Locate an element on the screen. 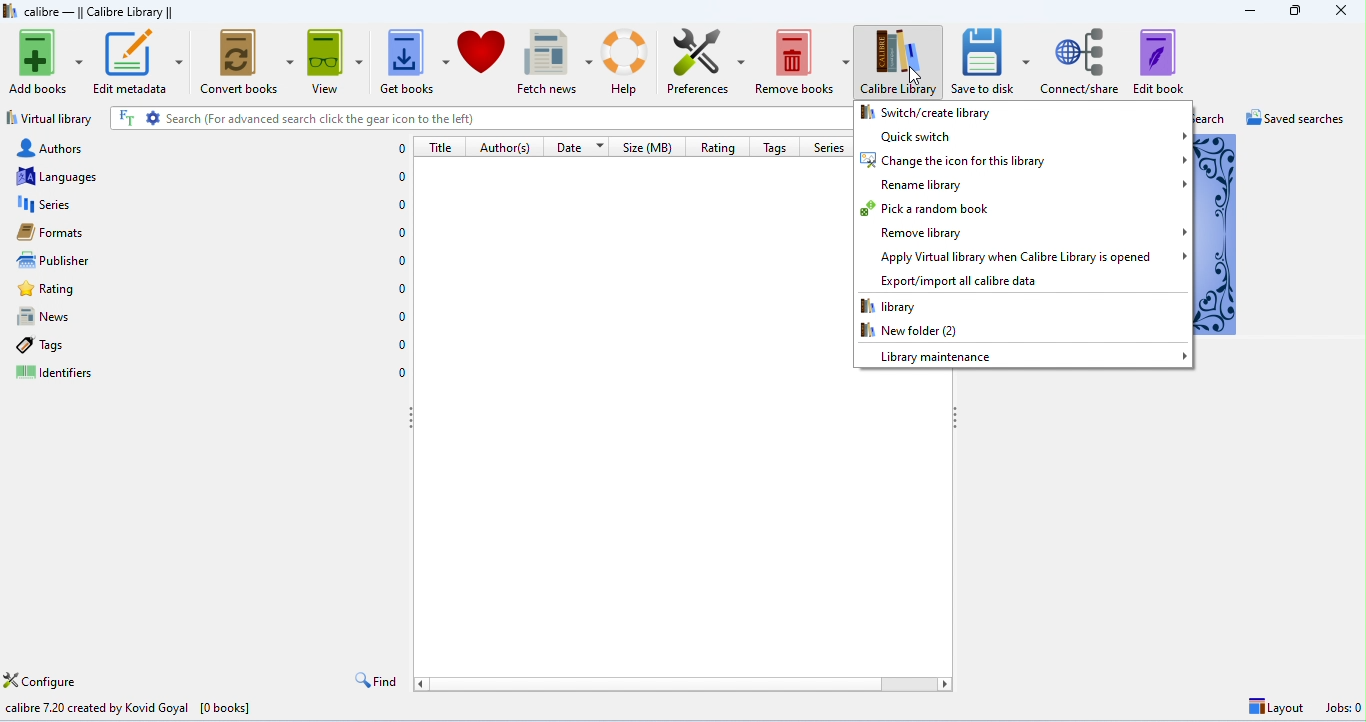 This screenshot has height=722, width=1366. quick switch is located at coordinates (1024, 136).